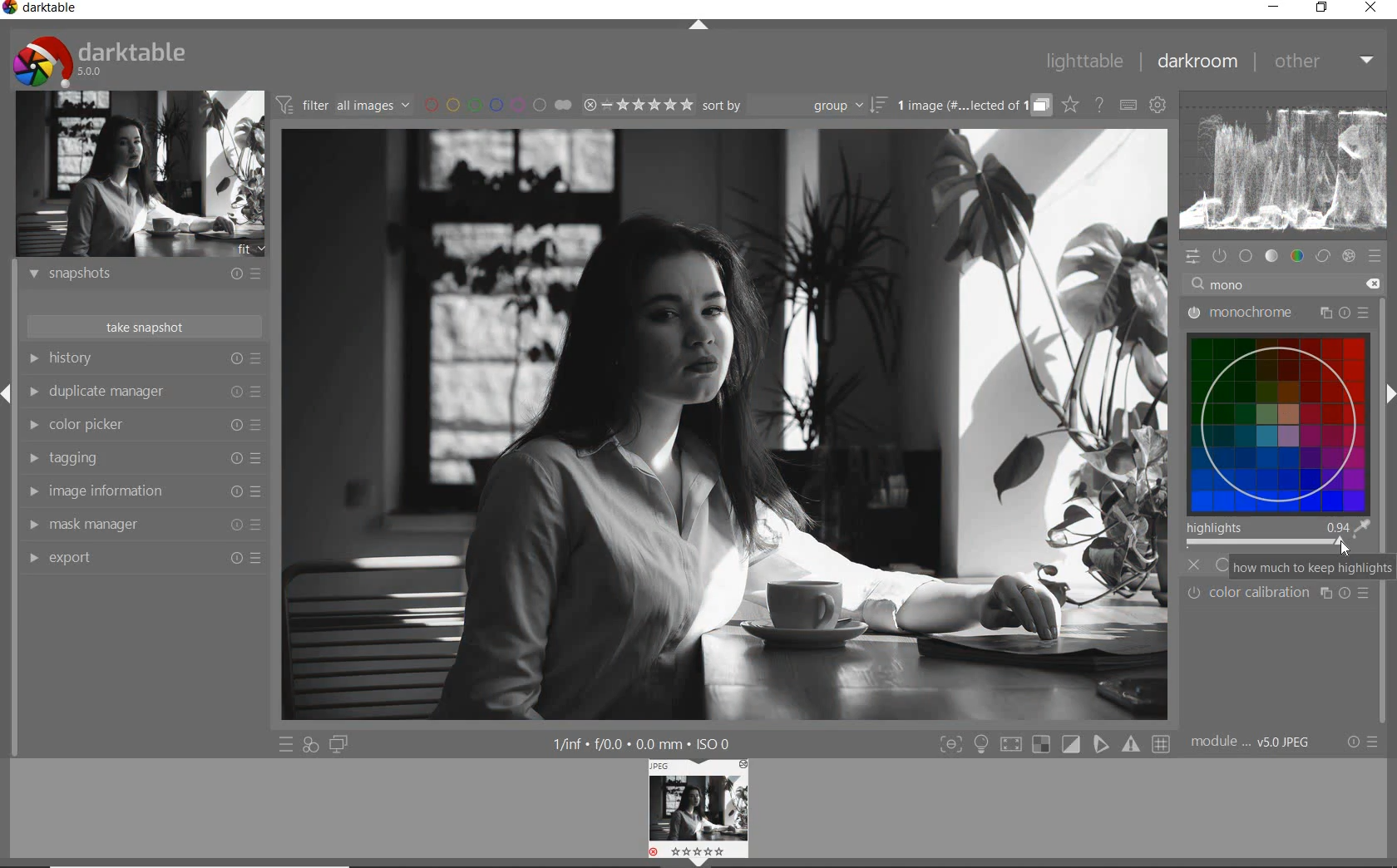  What do you see at coordinates (1349, 255) in the screenshot?
I see `effect` at bounding box center [1349, 255].